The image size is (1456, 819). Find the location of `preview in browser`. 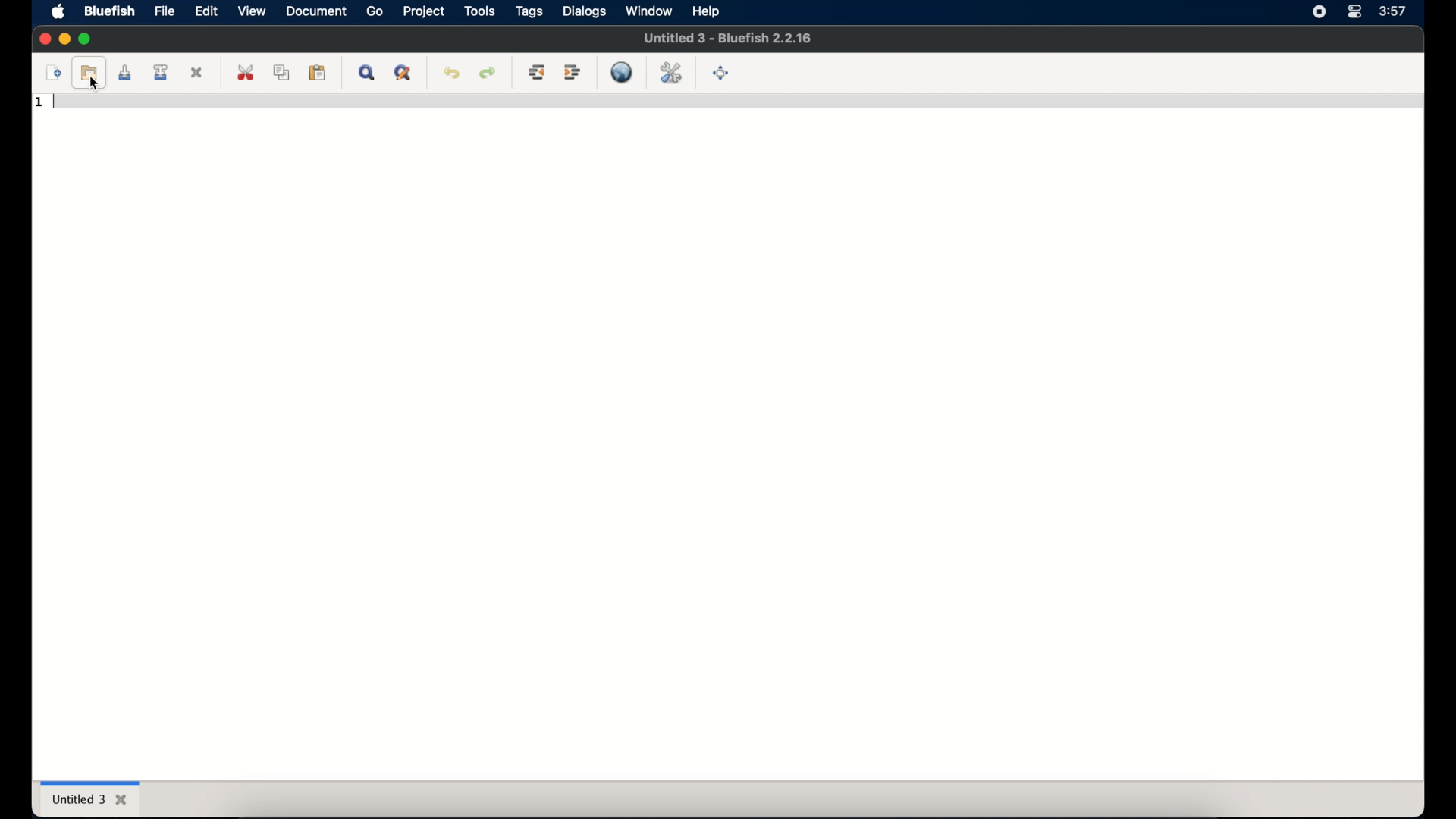

preview in browser is located at coordinates (623, 72).